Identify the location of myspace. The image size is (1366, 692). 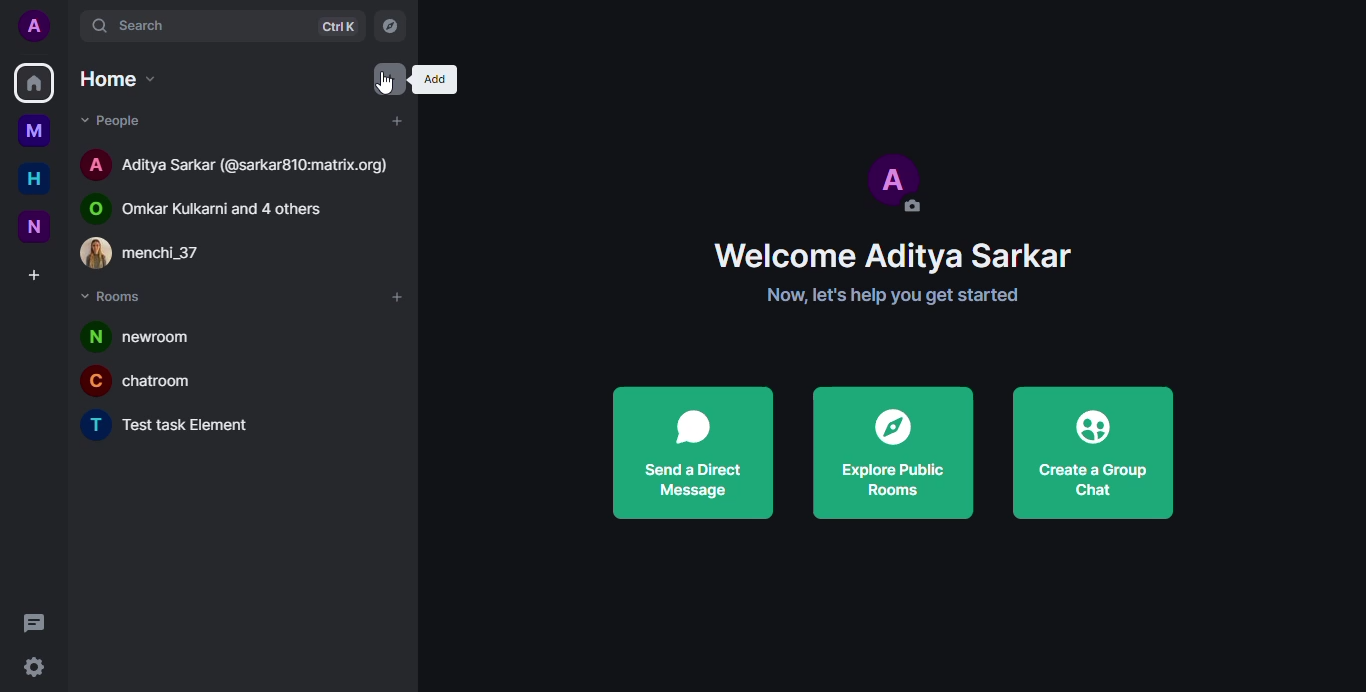
(35, 131).